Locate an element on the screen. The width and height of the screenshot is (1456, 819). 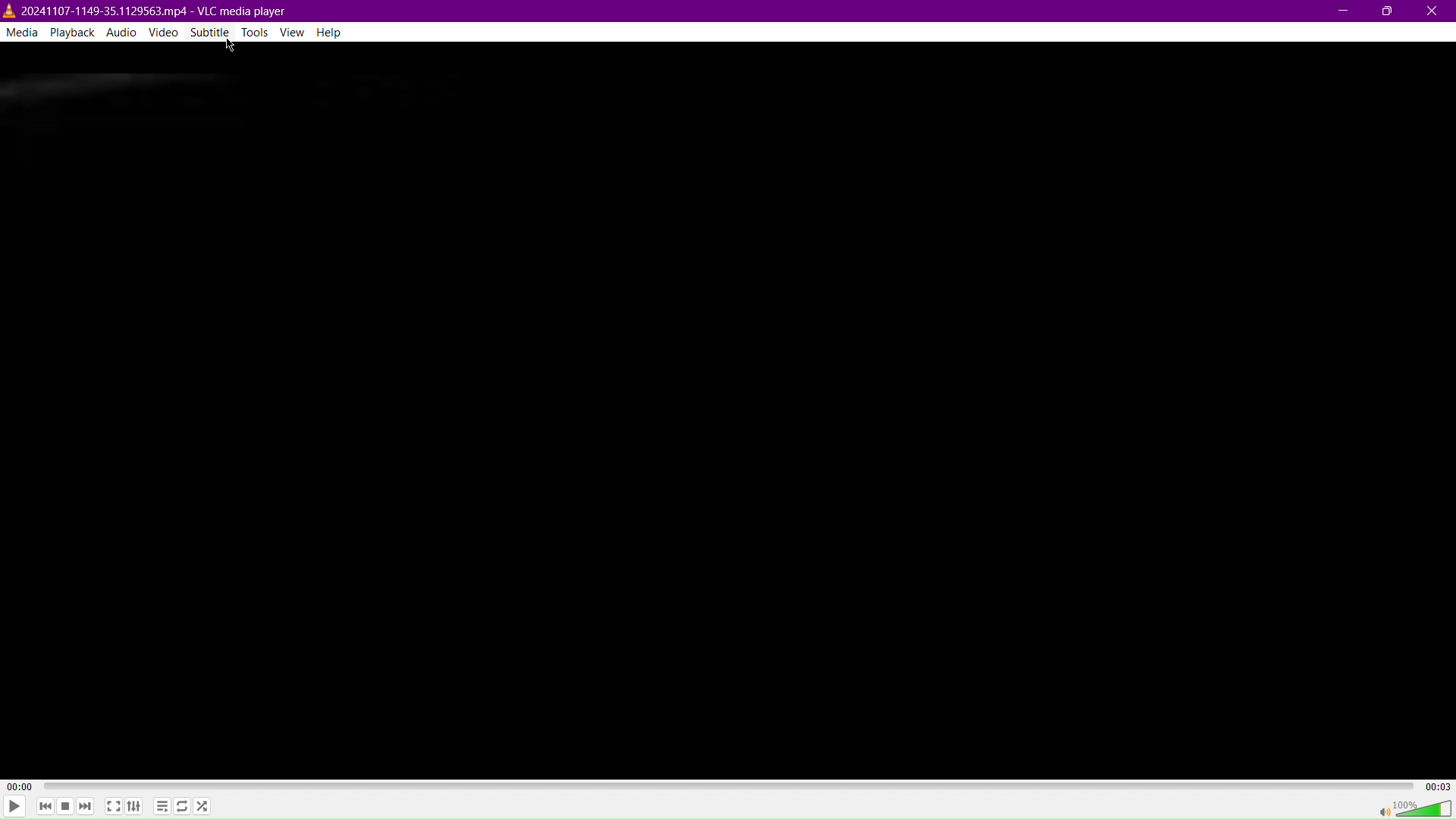
Skip Back is located at coordinates (44, 807).